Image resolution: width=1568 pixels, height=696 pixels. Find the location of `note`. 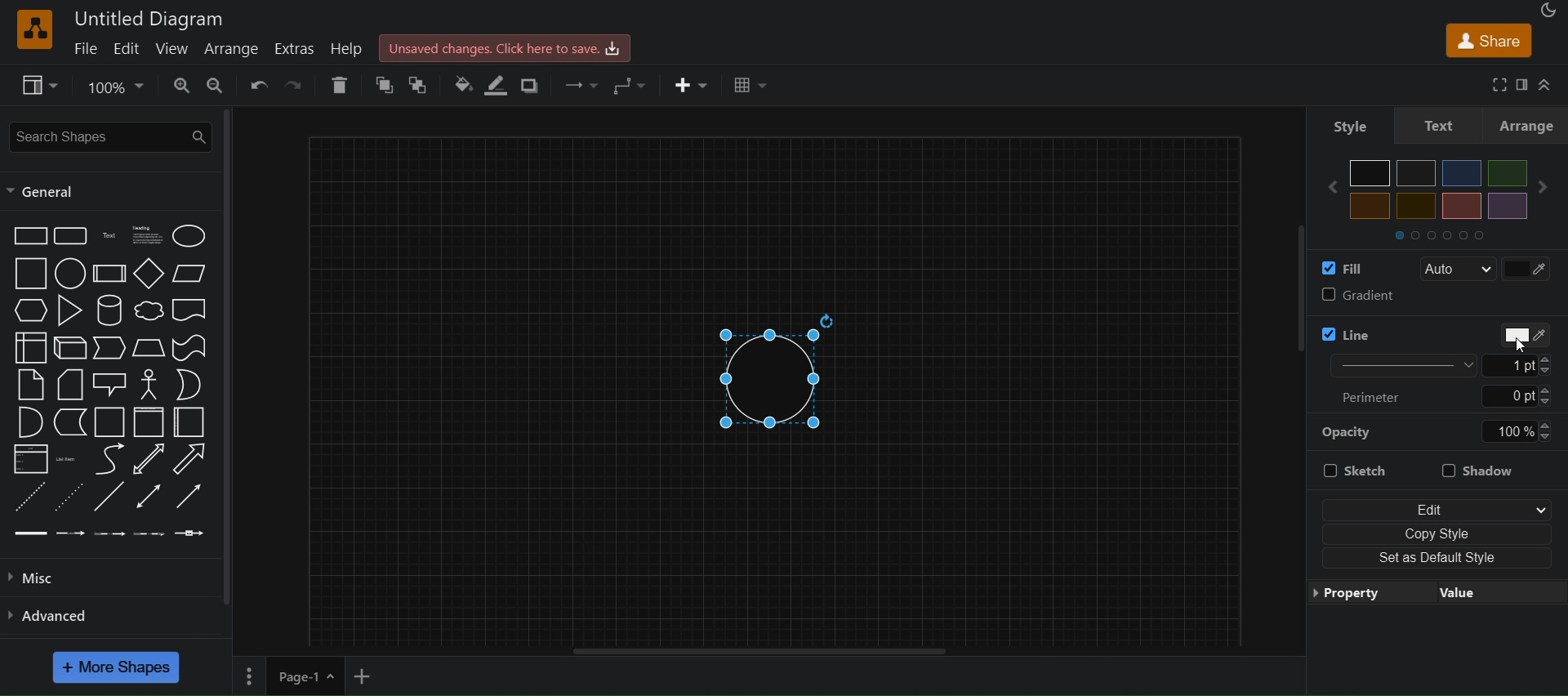

note is located at coordinates (29, 384).